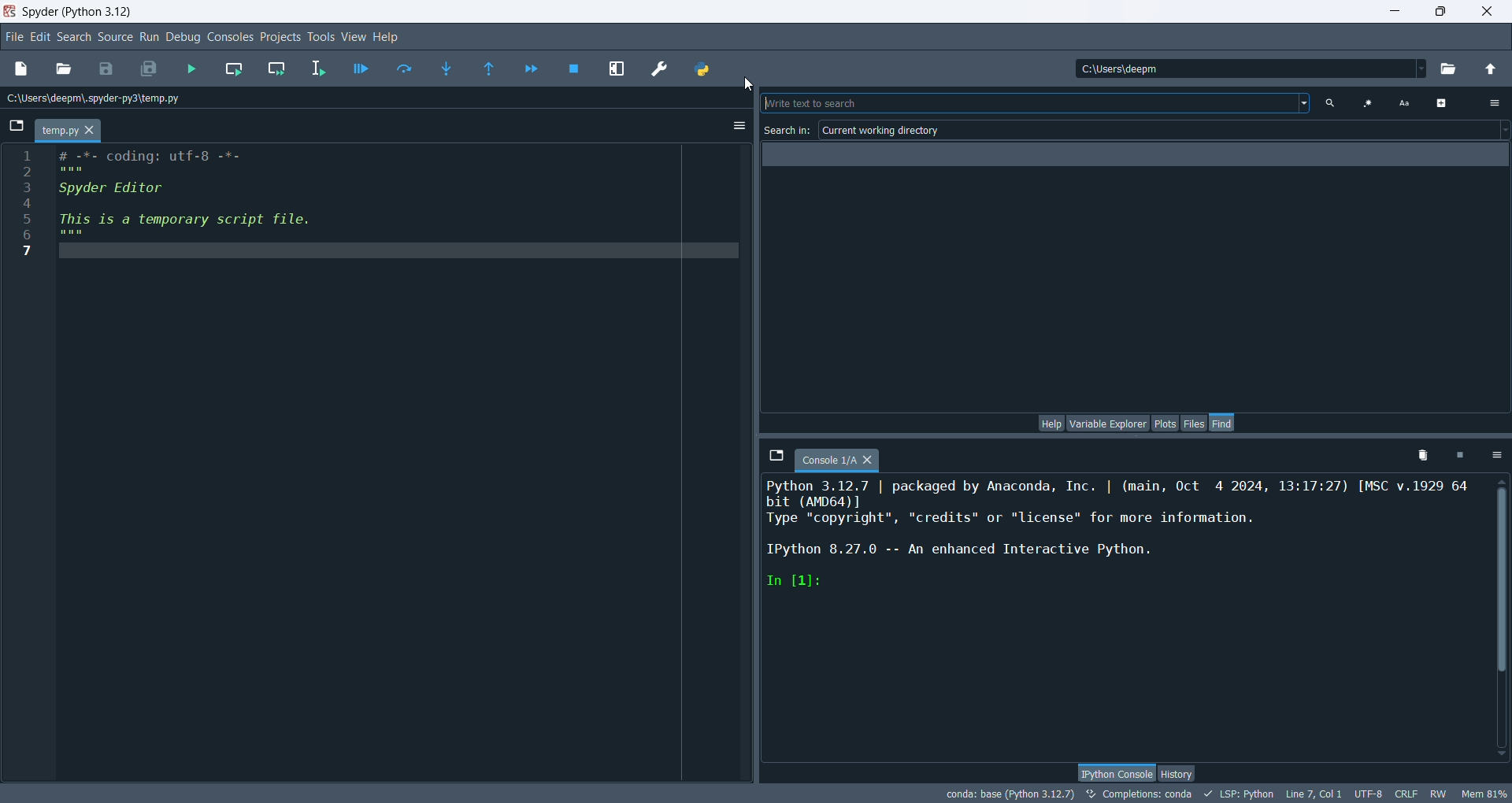  I want to click on options, so click(1497, 454).